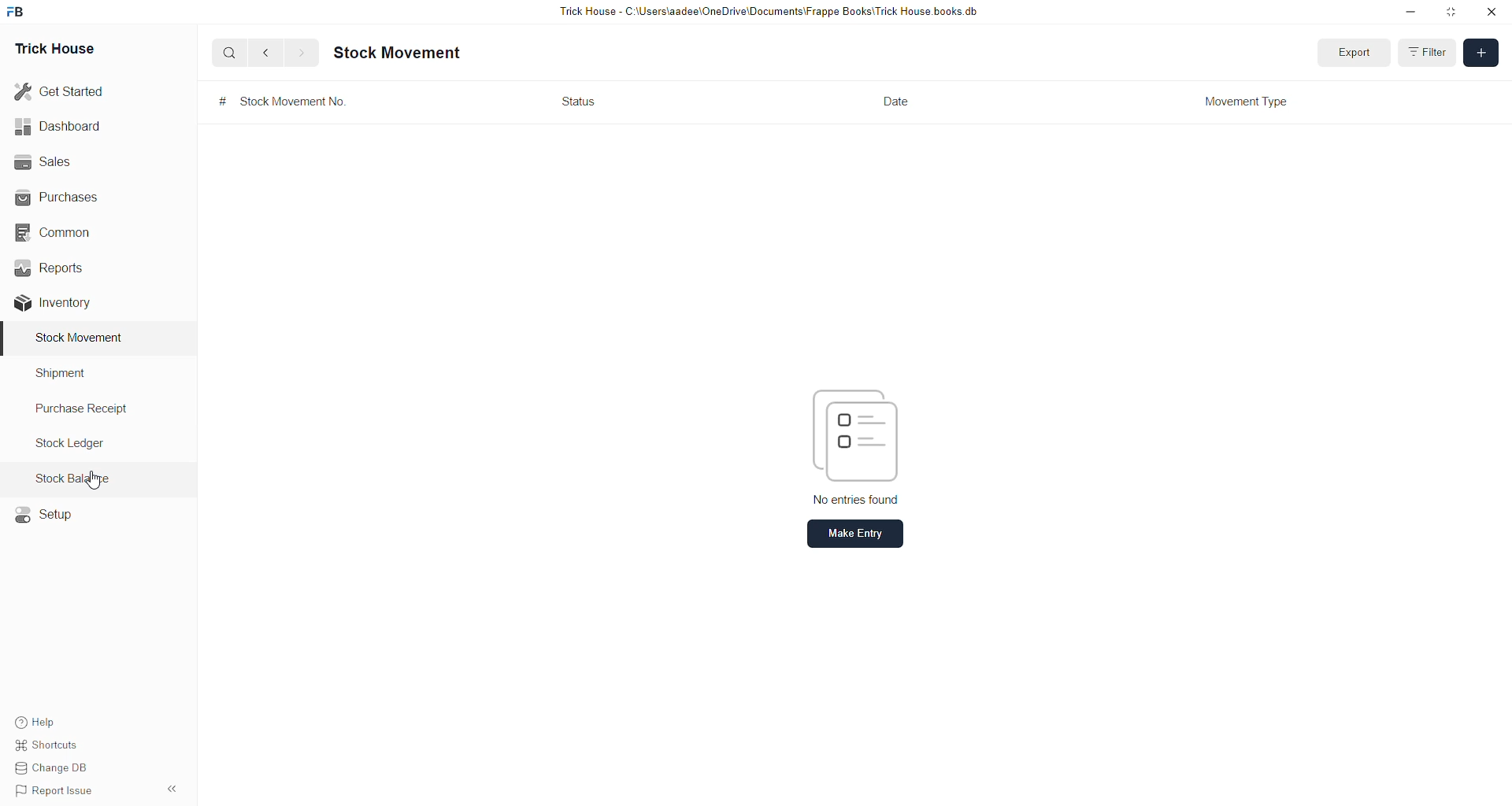  Describe the element at coordinates (172, 786) in the screenshot. I see `Options` at that location.